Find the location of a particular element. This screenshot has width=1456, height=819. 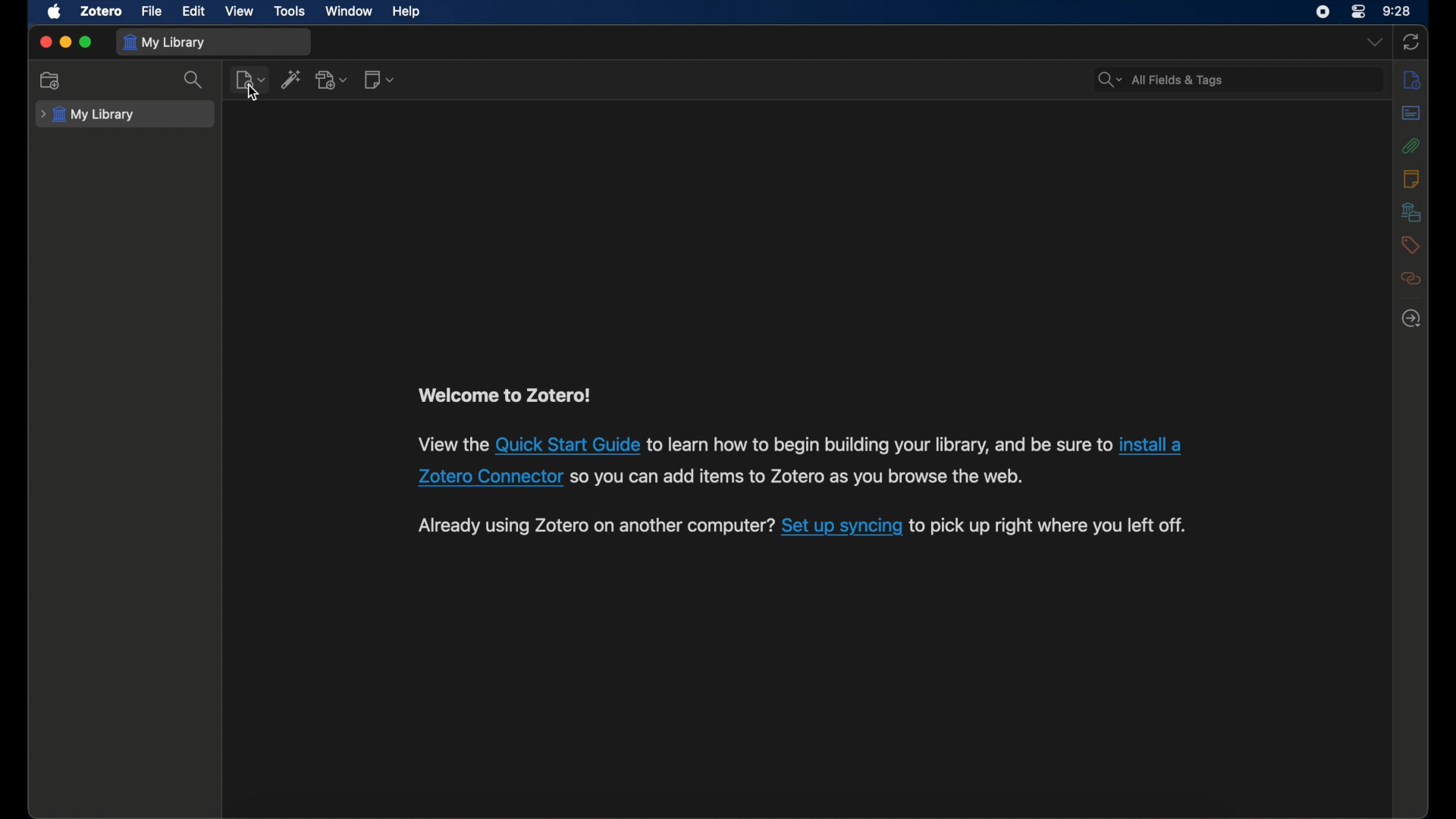

sync is located at coordinates (1411, 43).